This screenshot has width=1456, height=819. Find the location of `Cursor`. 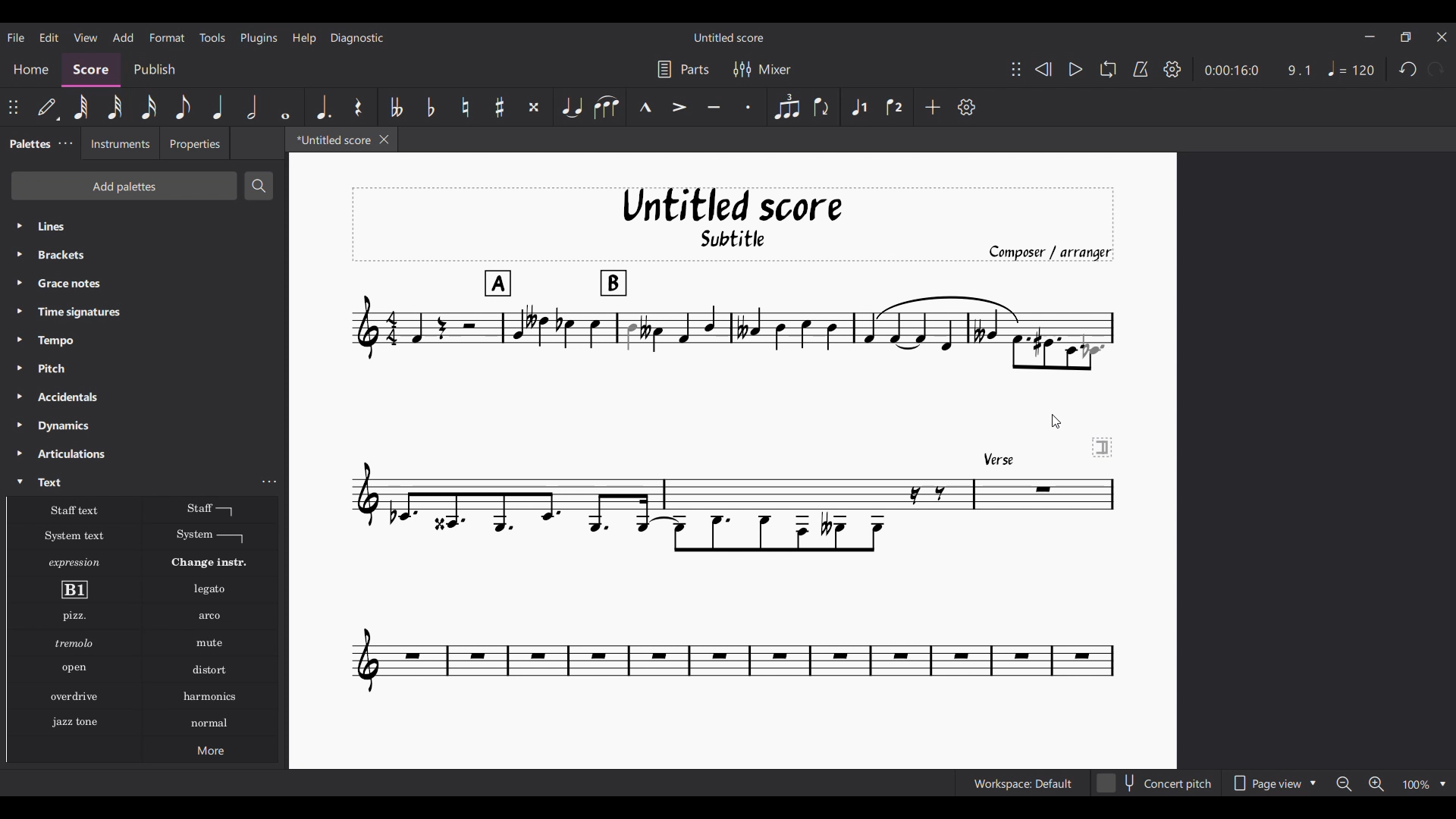

Cursor is located at coordinates (1056, 422).